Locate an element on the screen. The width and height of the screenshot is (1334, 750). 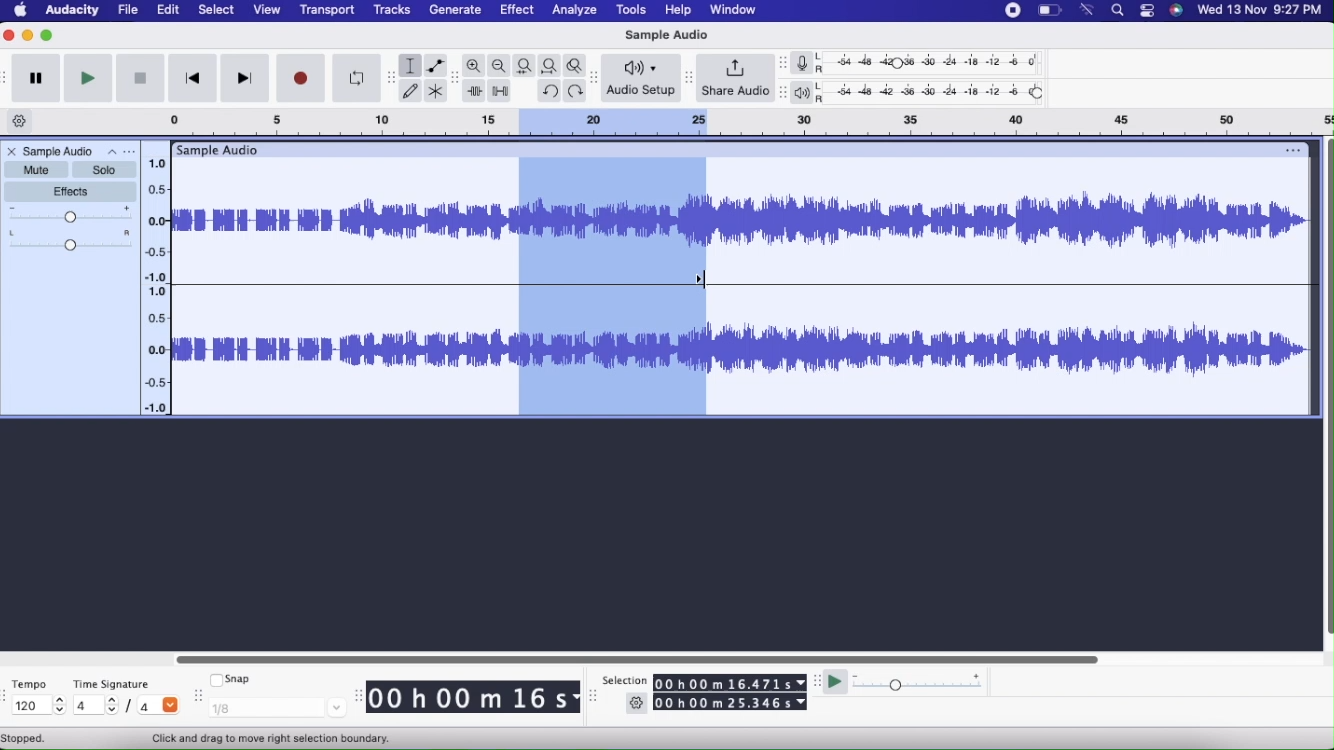
move toolbar is located at coordinates (816, 682).